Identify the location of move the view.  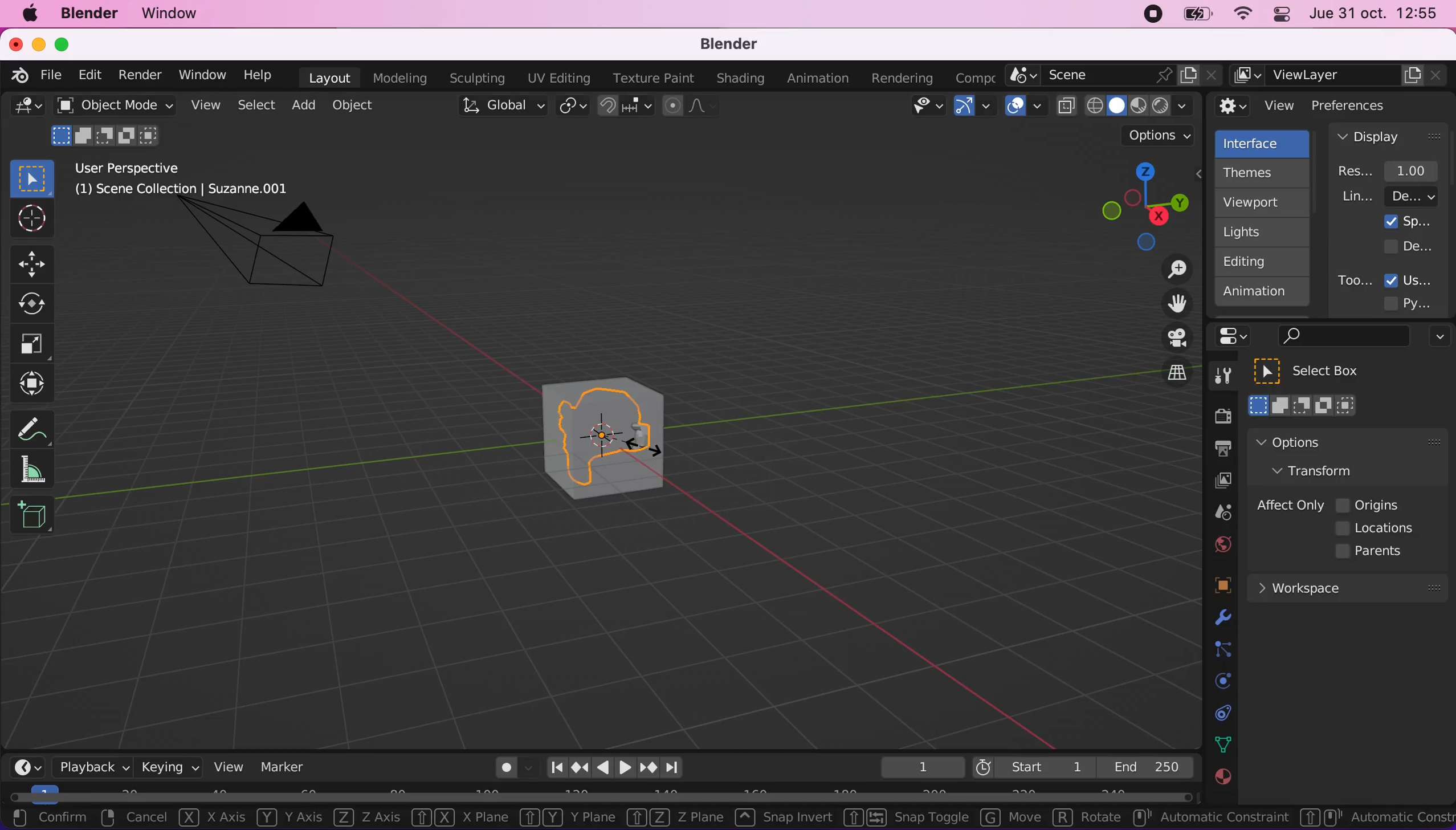
(1168, 304).